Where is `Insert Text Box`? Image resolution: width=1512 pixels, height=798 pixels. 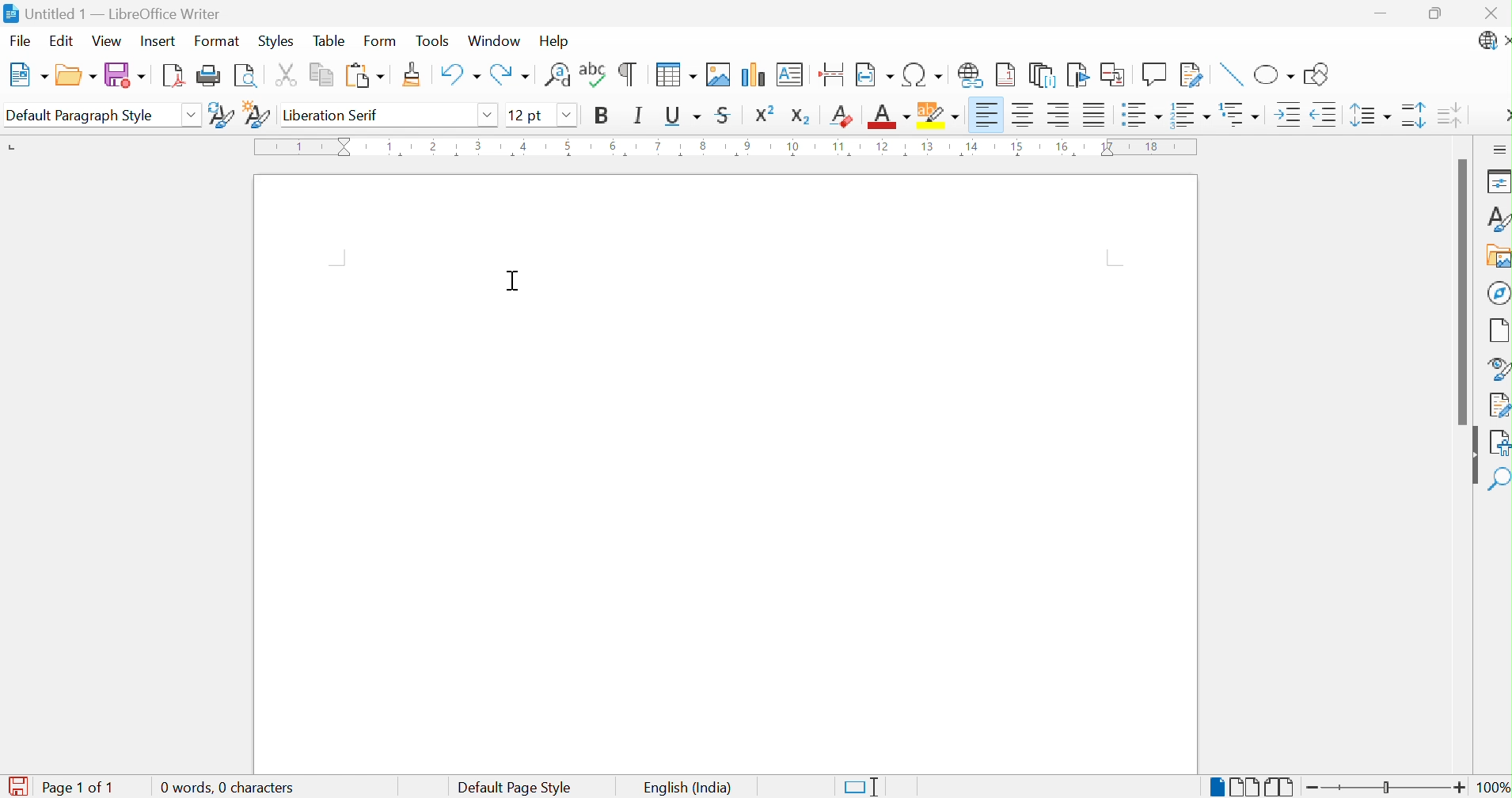
Insert Text Box is located at coordinates (787, 75).